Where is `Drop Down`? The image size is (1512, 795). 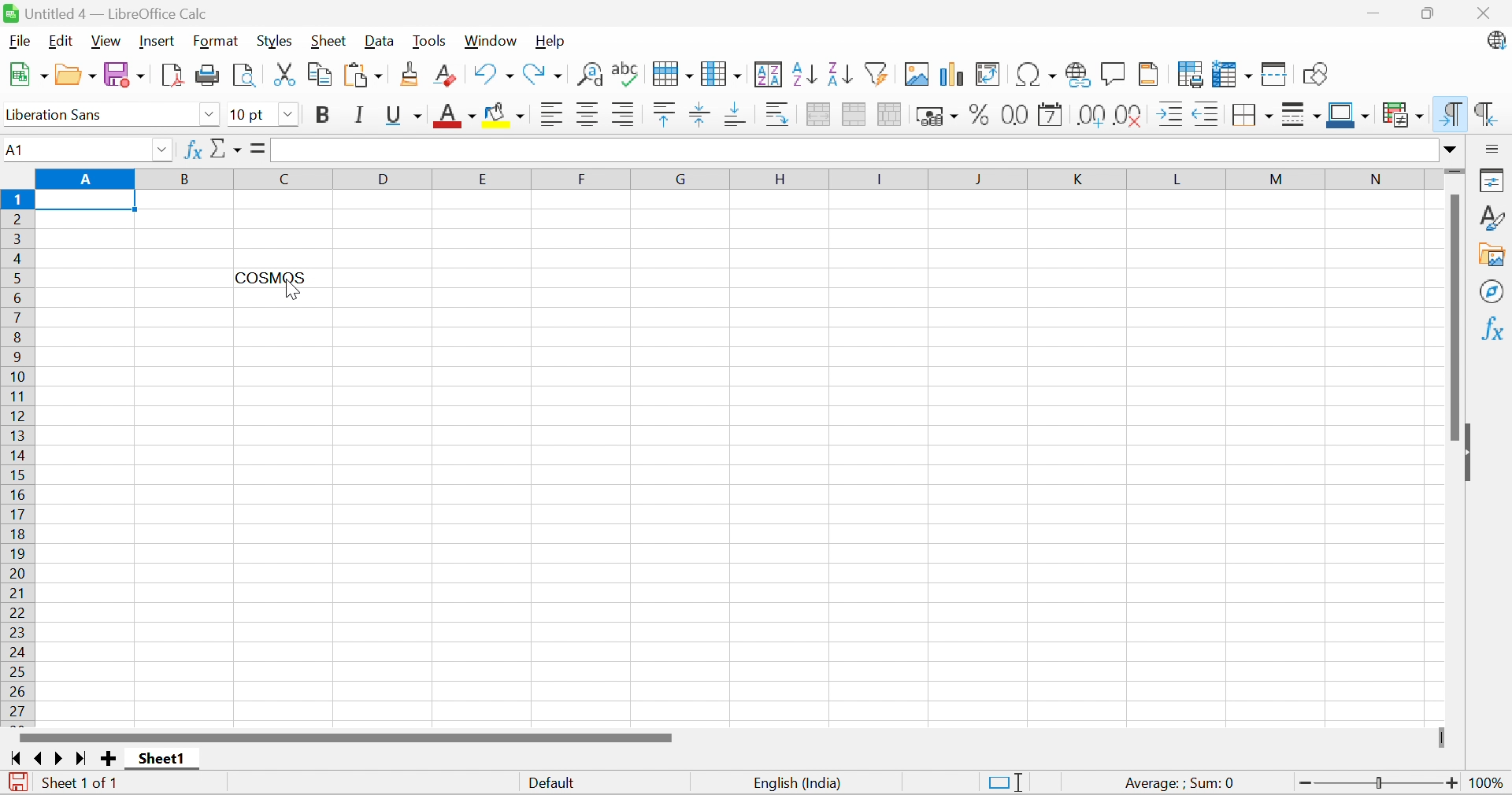 Drop Down is located at coordinates (206, 113).